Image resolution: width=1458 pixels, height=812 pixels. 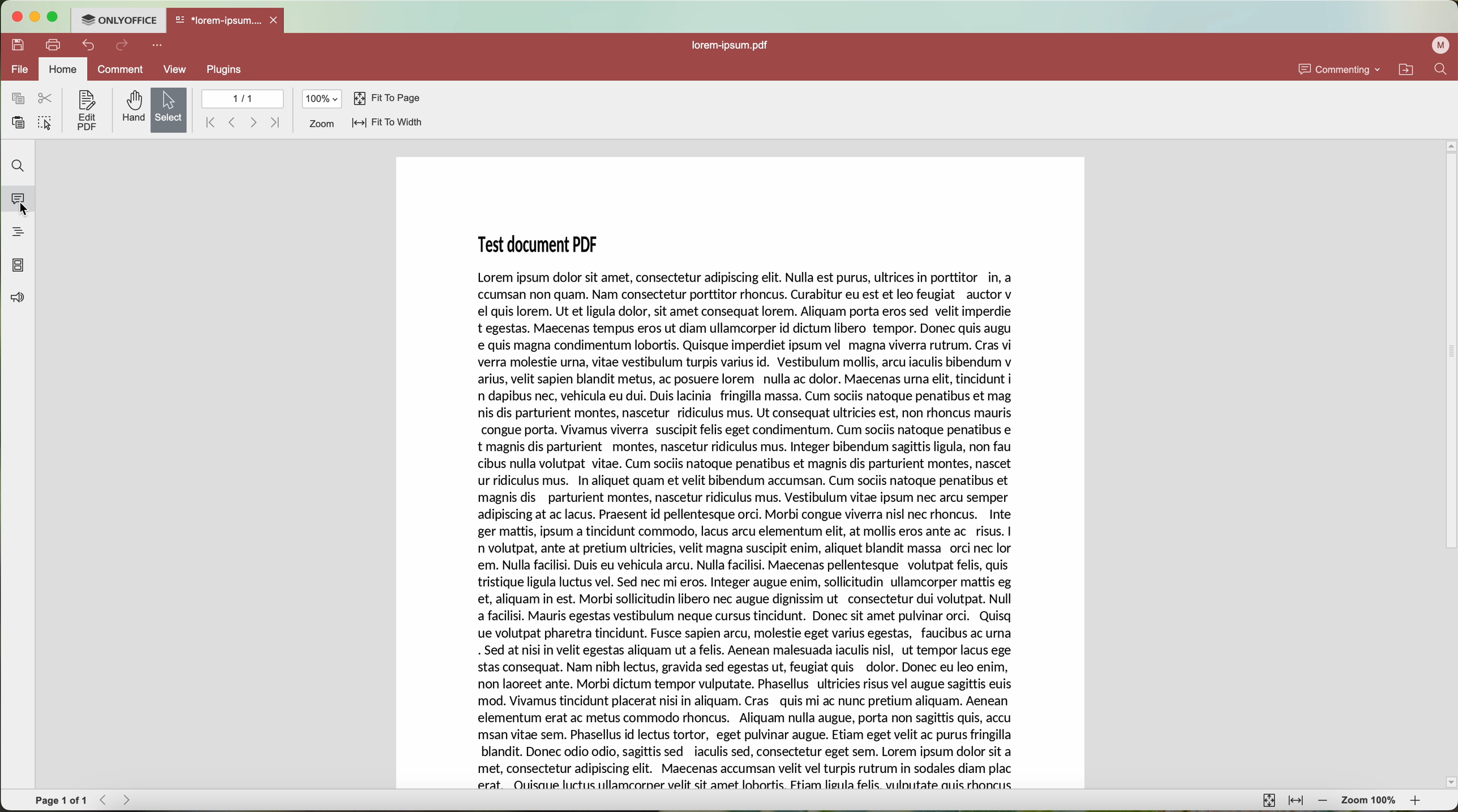 What do you see at coordinates (117, 801) in the screenshot?
I see `navigate arrows` at bounding box center [117, 801].